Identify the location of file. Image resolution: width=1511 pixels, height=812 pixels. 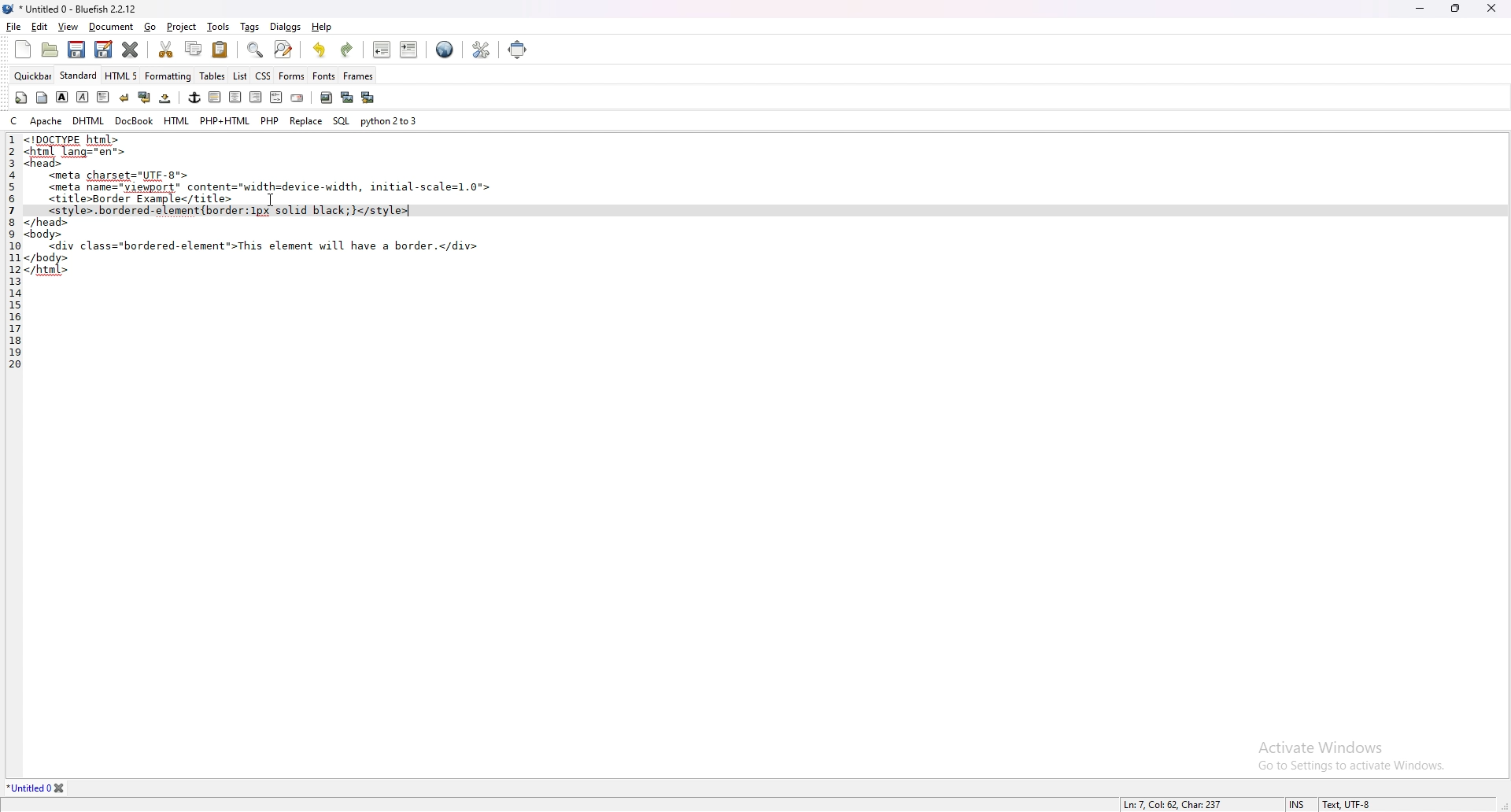
(13, 27).